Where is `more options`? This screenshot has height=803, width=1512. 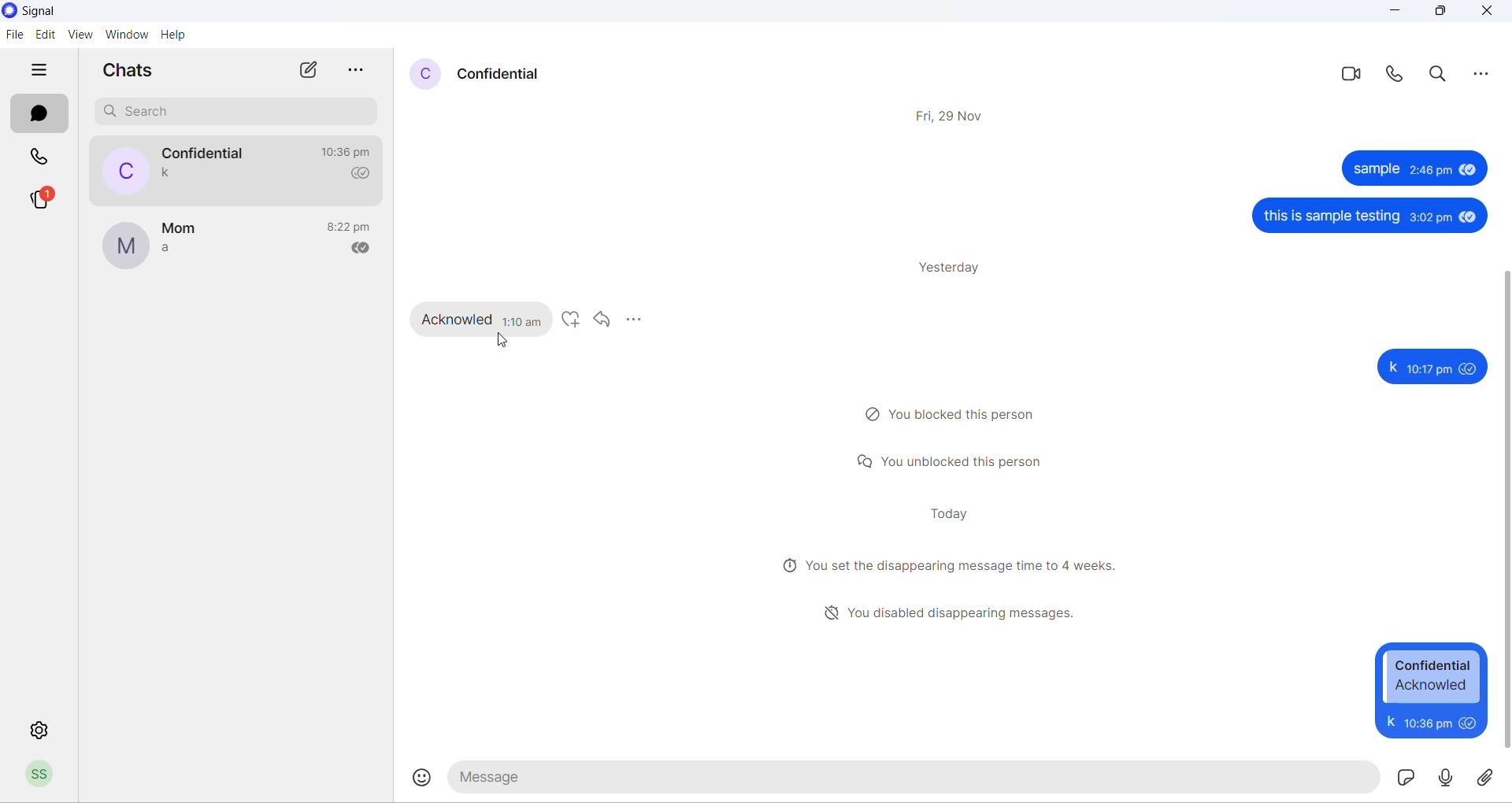
more options is located at coordinates (634, 319).